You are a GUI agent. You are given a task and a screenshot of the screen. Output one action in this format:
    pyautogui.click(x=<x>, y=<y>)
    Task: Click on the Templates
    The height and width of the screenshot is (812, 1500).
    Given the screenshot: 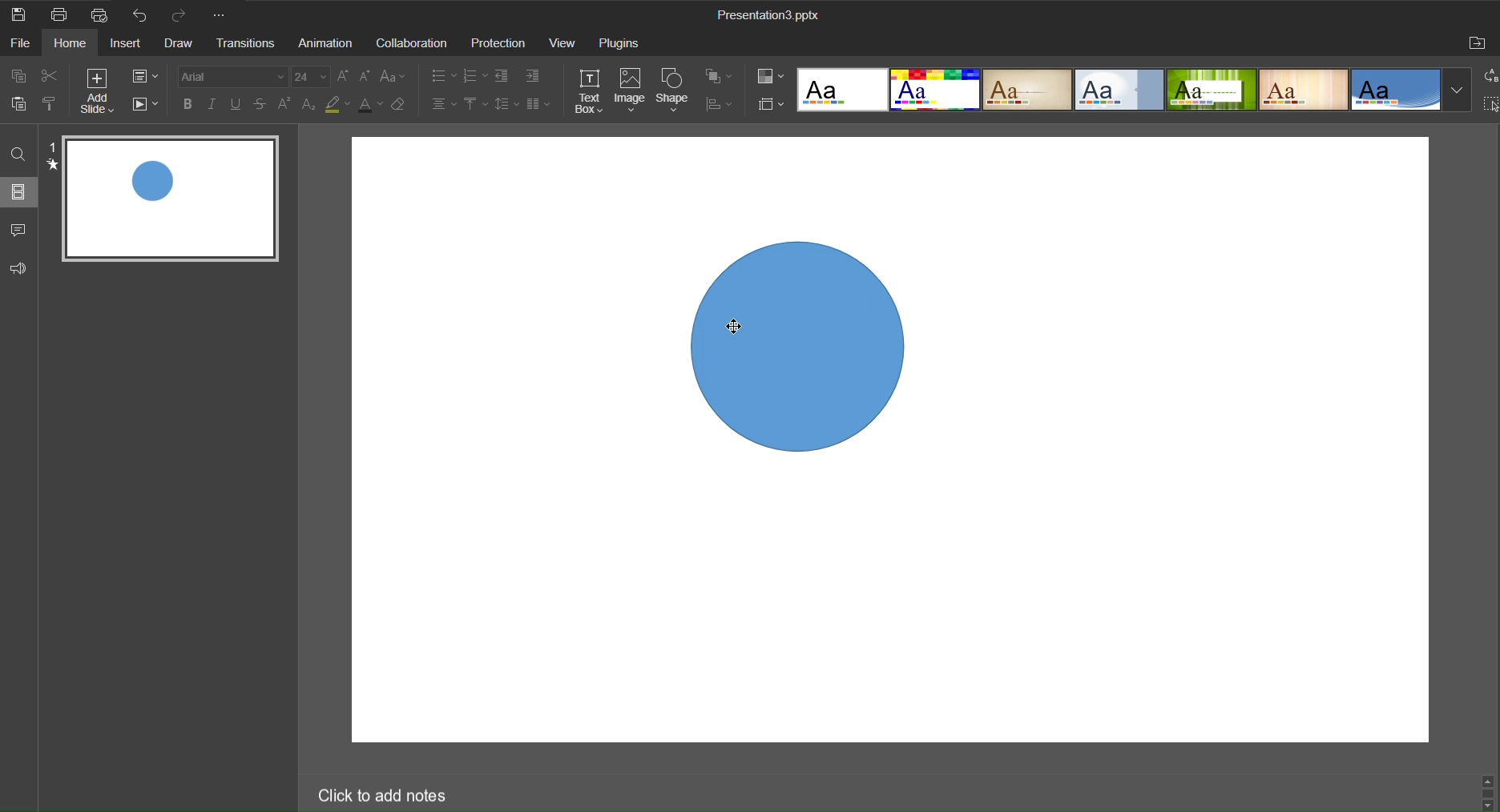 What is the action you would take?
    pyautogui.click(x=1133, y=90)
    